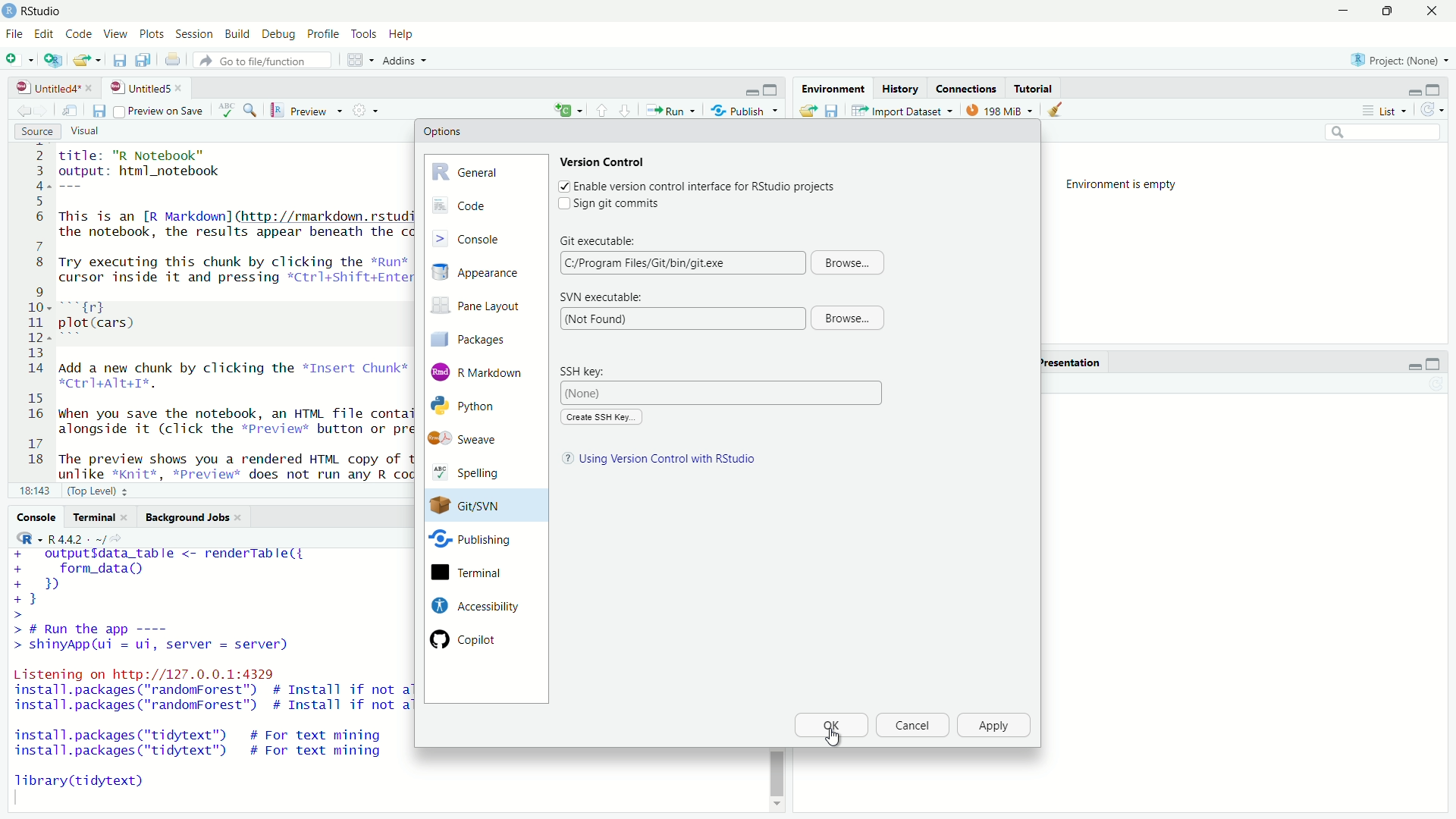  What do you see at coordinates (911, 726) in the screenshot?
I see `Cancel` at bounding box center [911, 726].